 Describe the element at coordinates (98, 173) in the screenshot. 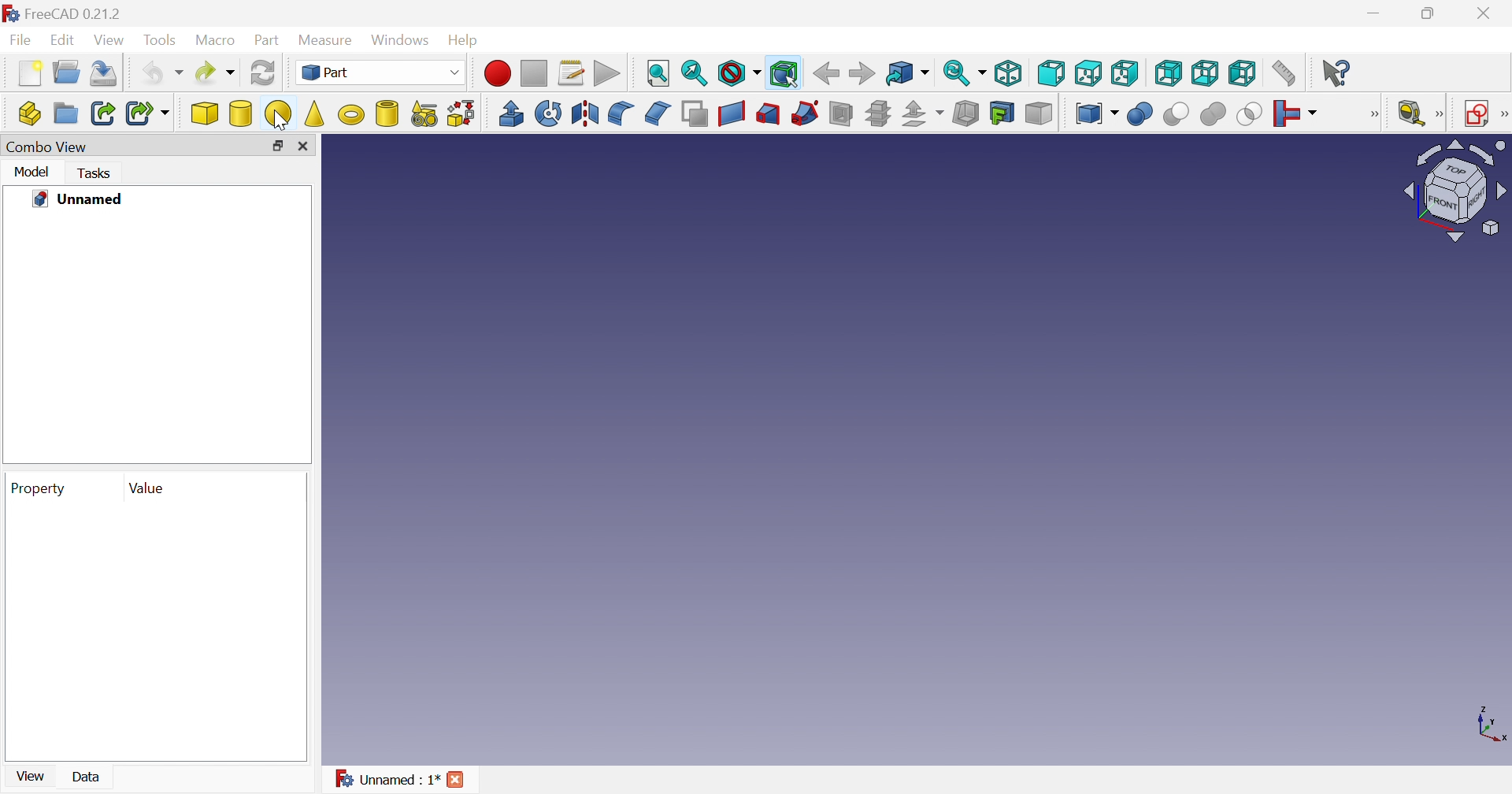

I see `Tasks` at that location.